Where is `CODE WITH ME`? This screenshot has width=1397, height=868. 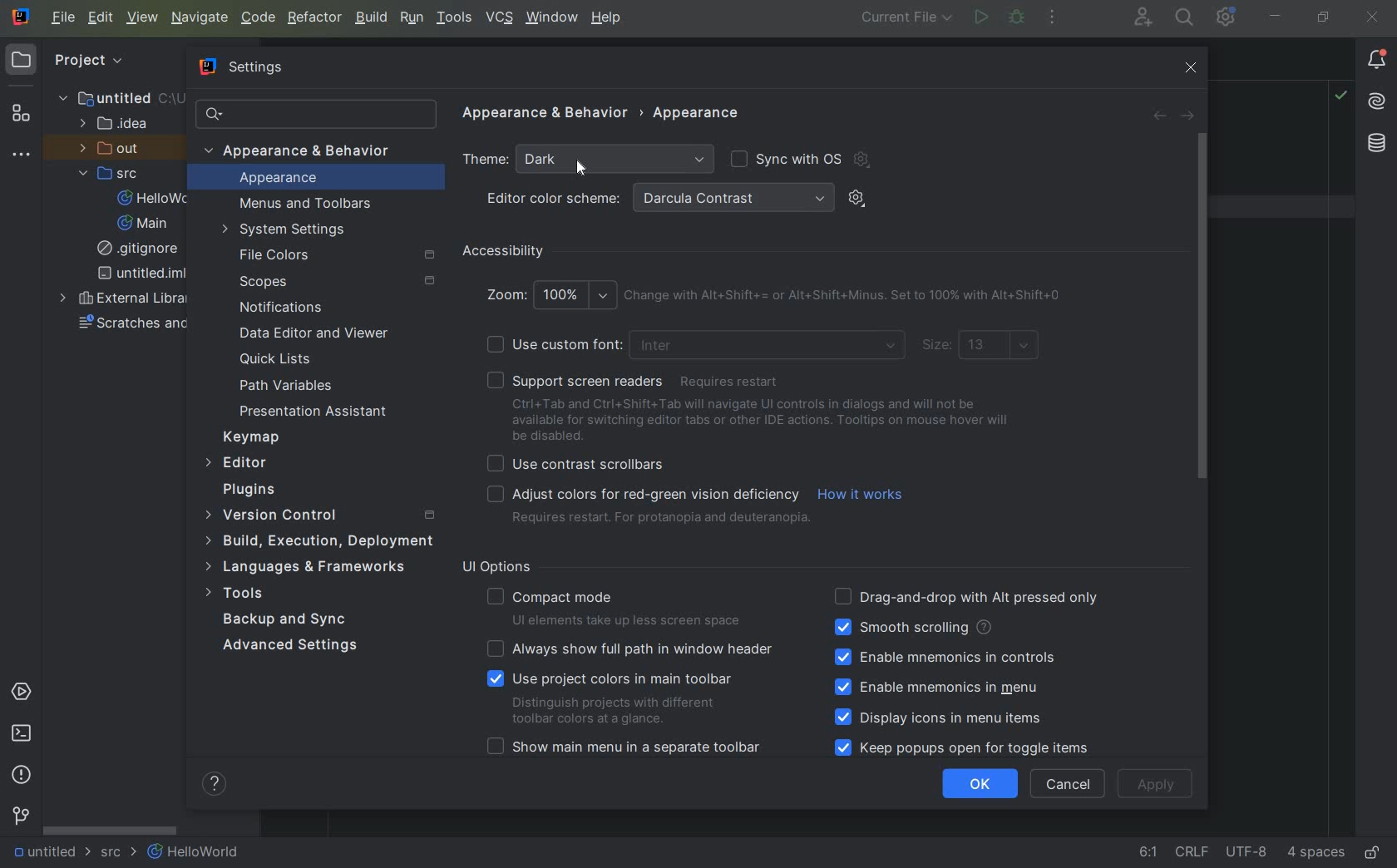
CODE WITH ME is located at coordinates (1144, 17).